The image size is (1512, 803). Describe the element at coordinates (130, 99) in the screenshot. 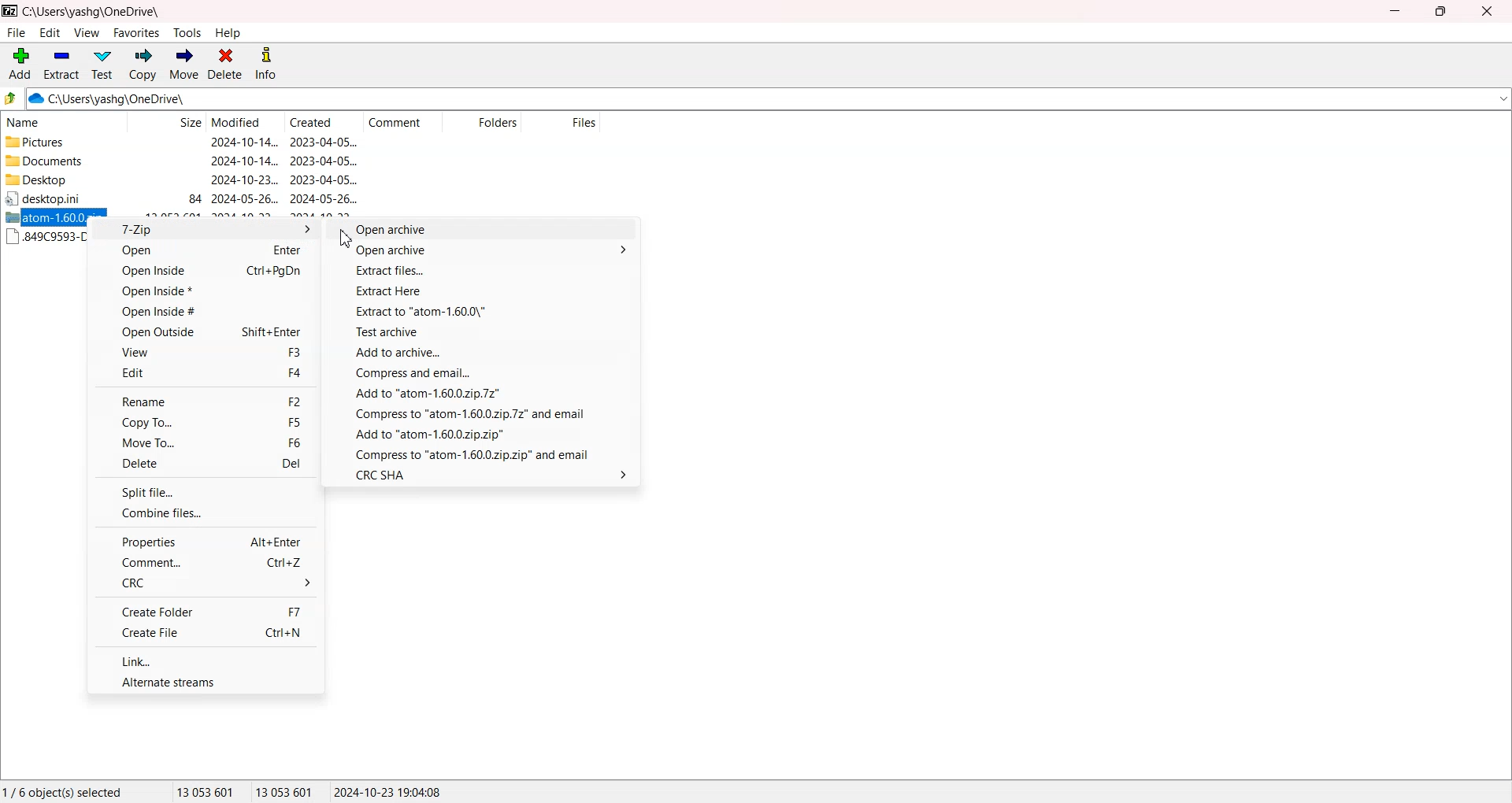

I see `C:\Users\yashg\OneDrive\` at that location.